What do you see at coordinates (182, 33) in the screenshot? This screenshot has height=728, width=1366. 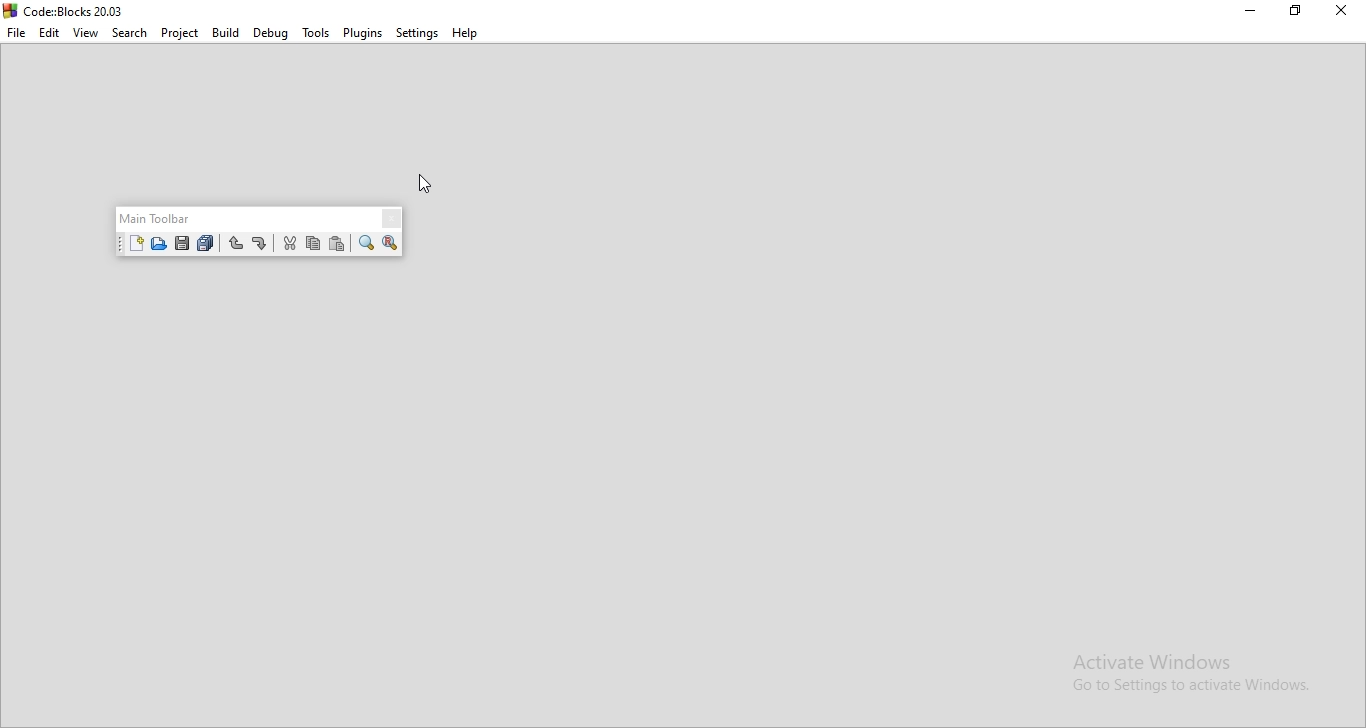 I see `Project ` at bounding box center [182, 33].